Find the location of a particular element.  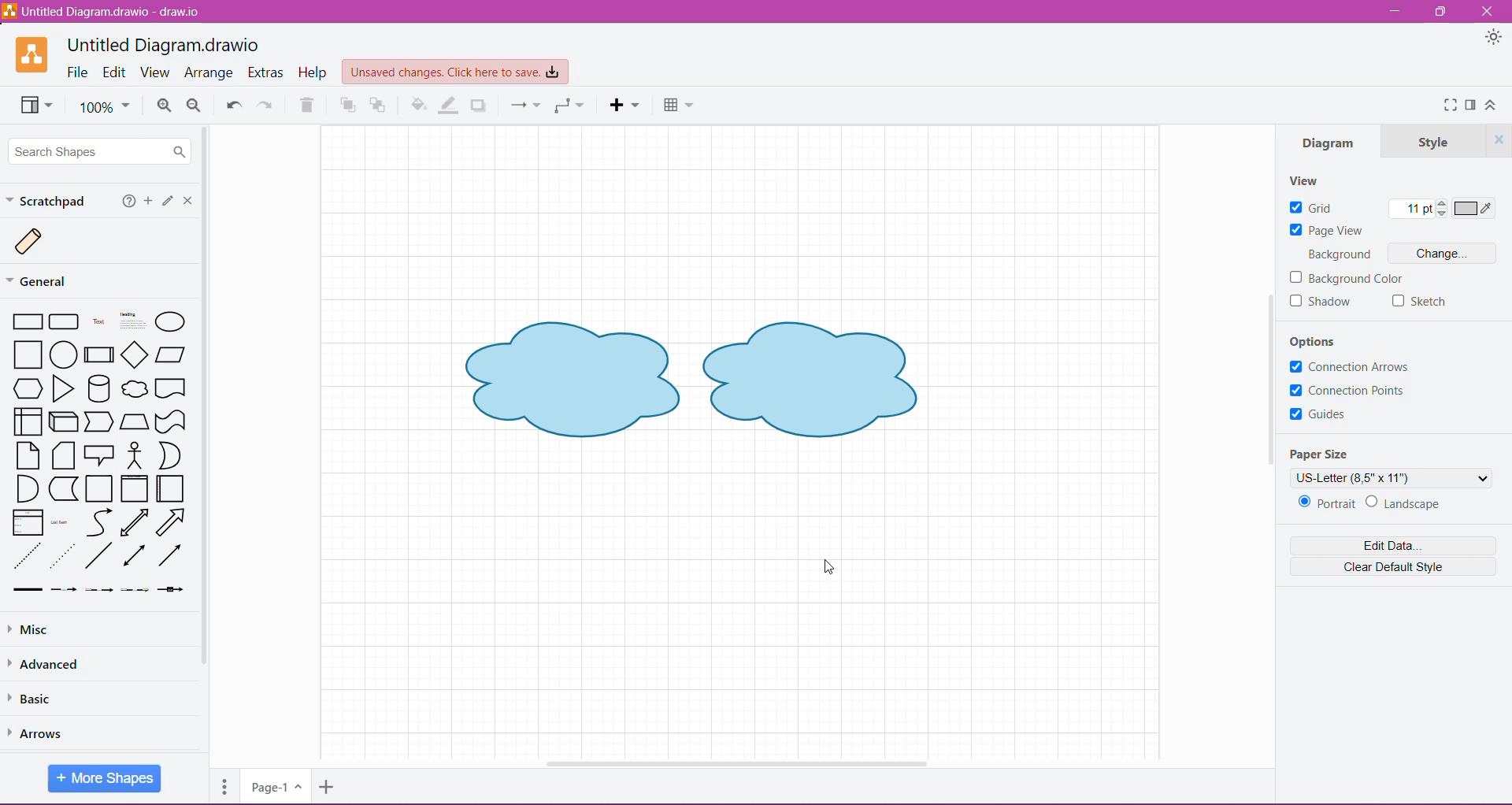

Restore Down is located at coordinates (1443, 12).